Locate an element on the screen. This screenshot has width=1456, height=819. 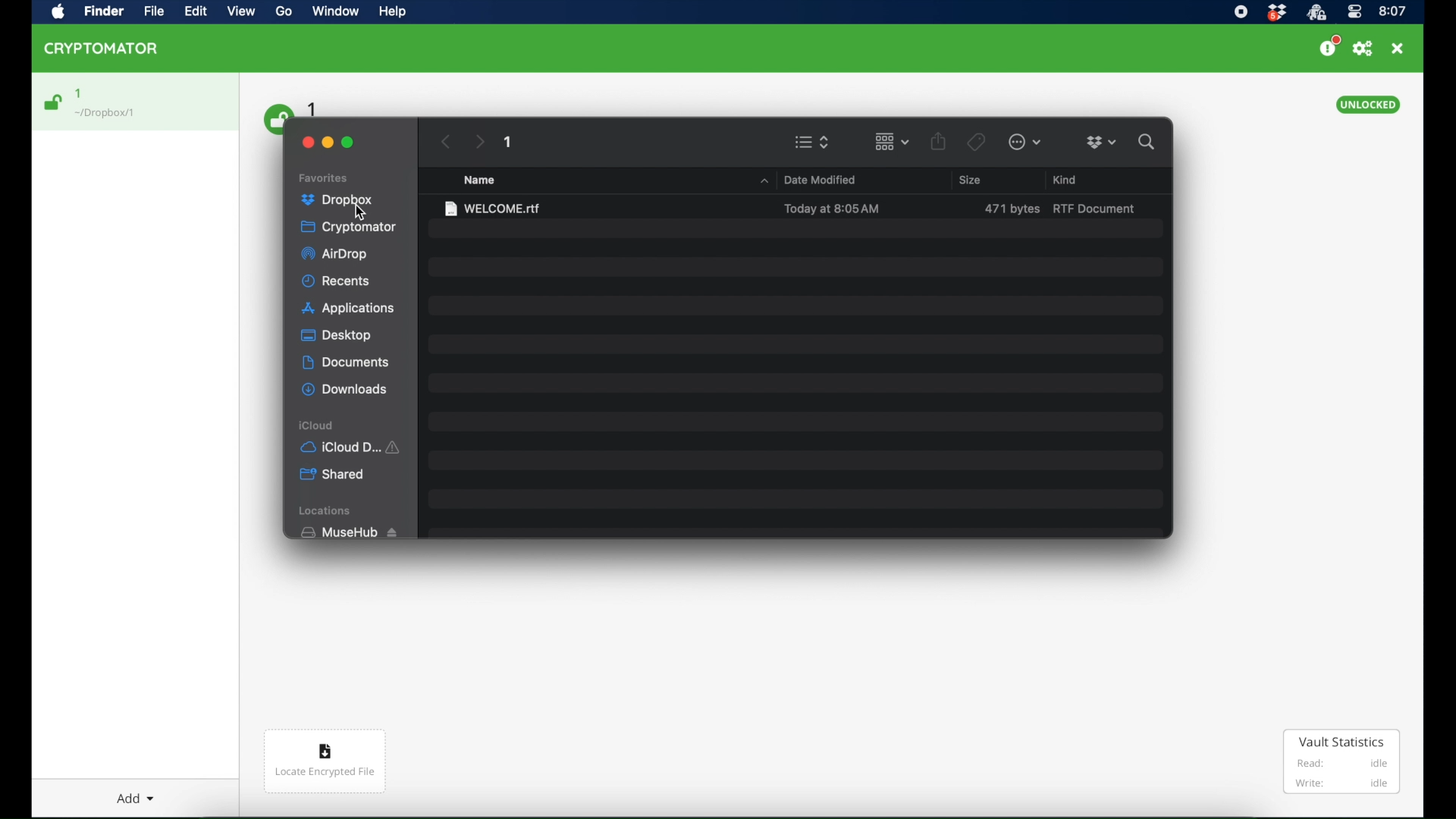
Help is located at coordinates (394, 14).